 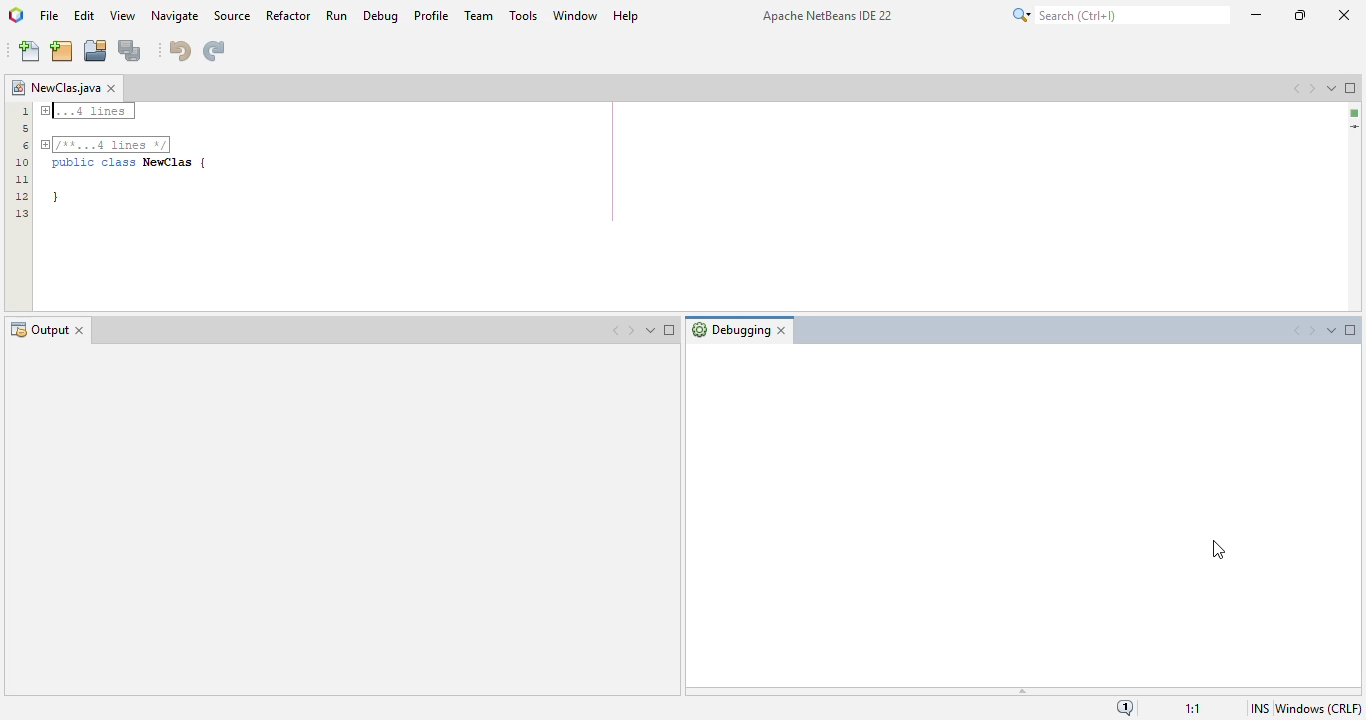 I want to click on file, so click(x=50, y=15).